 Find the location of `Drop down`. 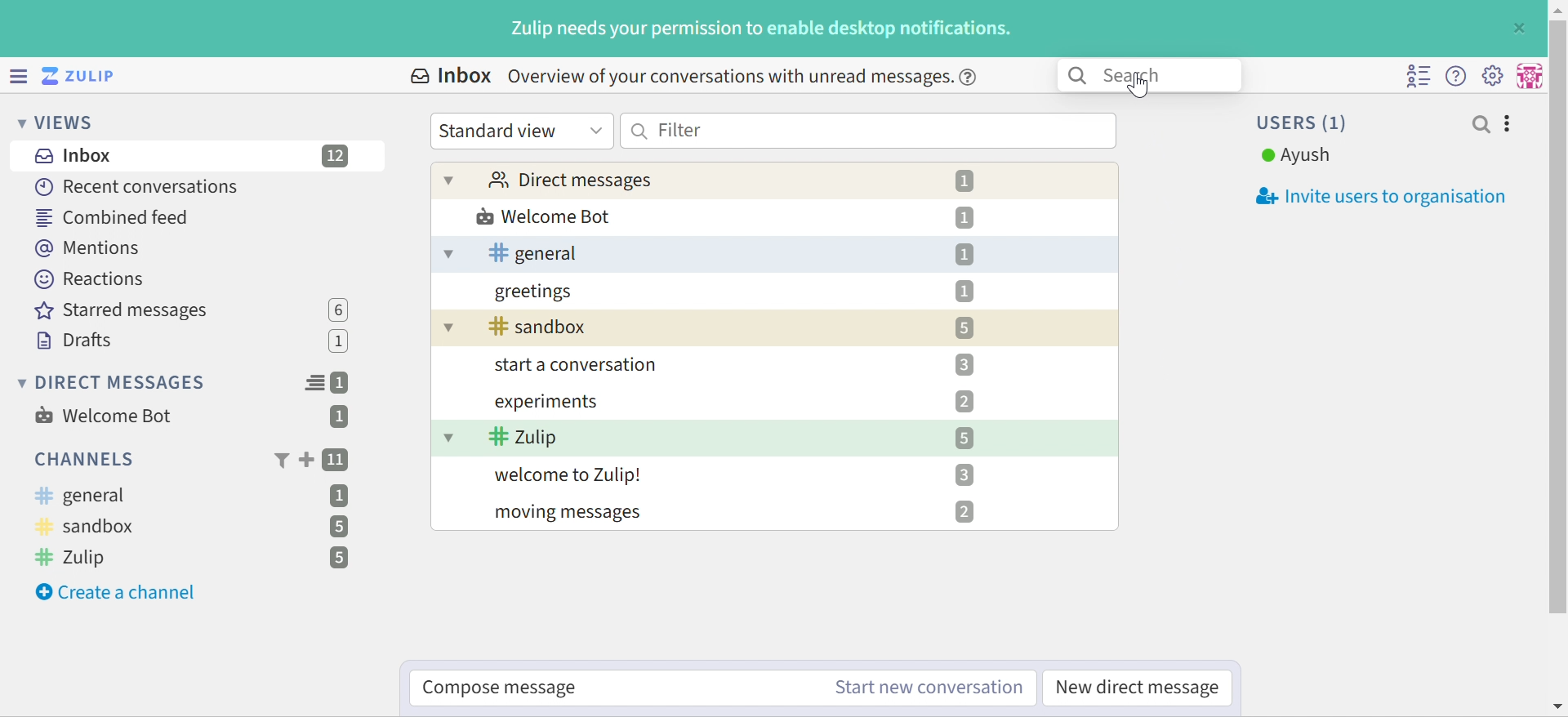

Drop down is located at coordinates (451, 180).